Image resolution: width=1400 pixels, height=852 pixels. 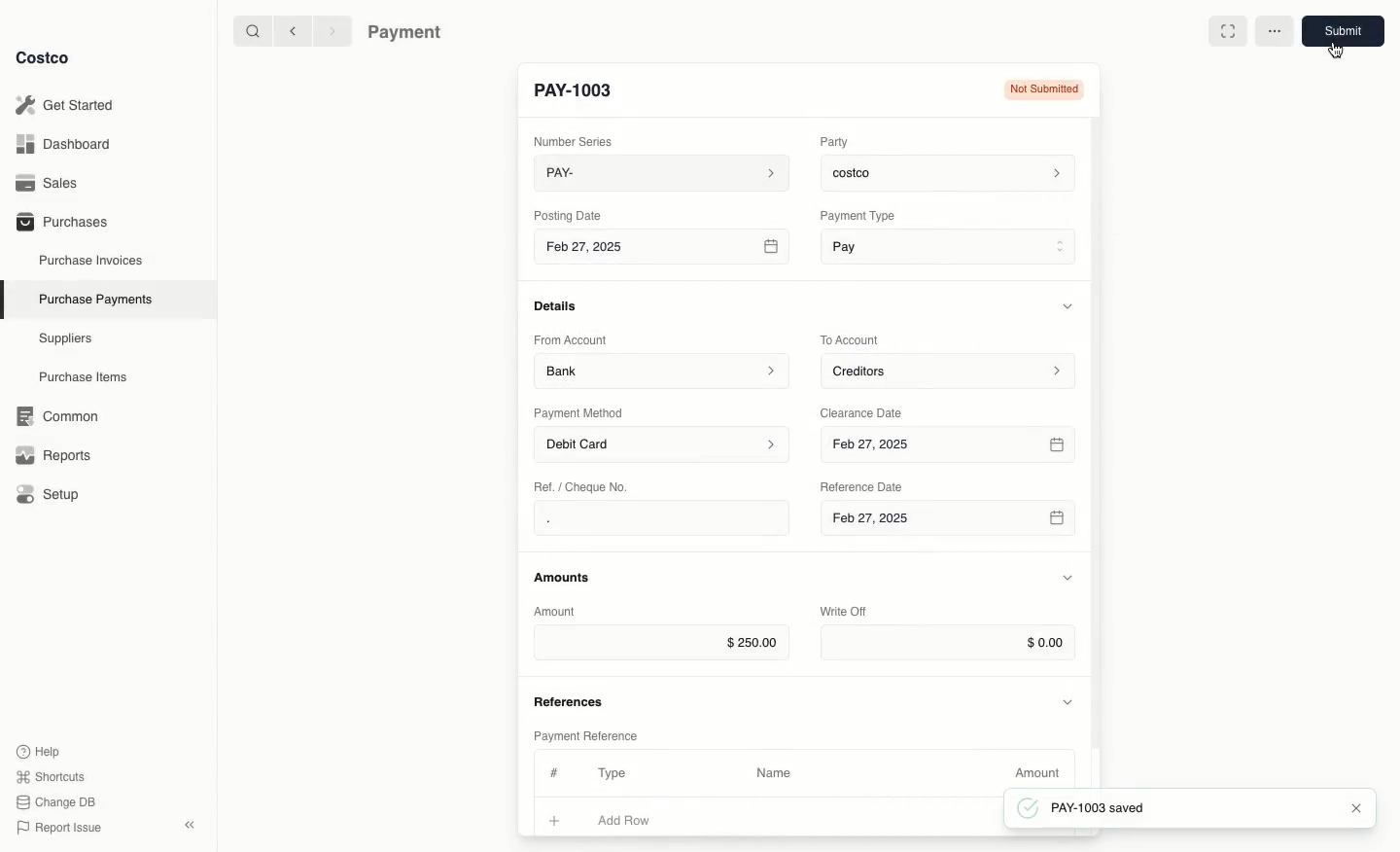 What do you see at coordinates (69, 143) in the screenshot?
I see `Dashboard` at bounding box center [69, 143].